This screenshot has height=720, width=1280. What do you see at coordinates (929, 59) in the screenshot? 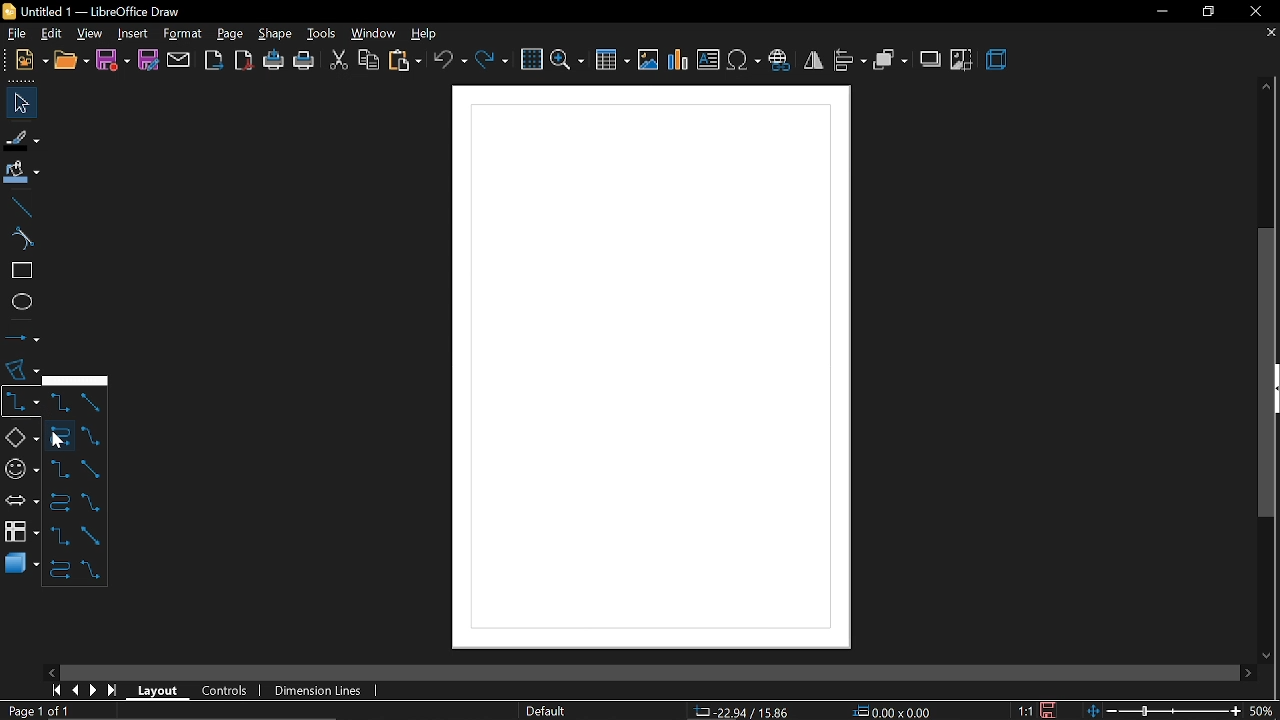
I see `shadow` at bounding box center [929, 59].